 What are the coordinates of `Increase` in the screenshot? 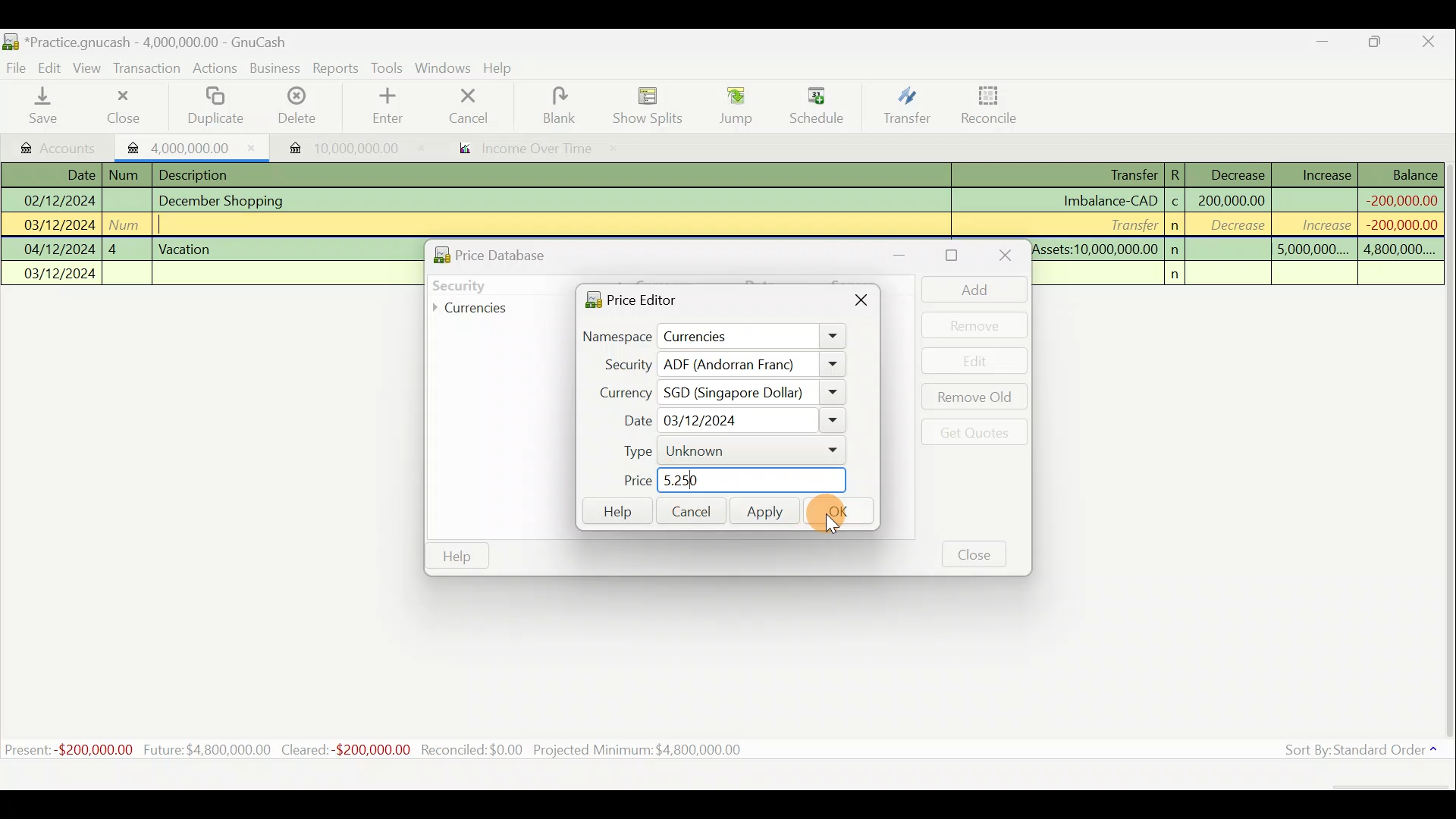 It's located at (1326, 173).